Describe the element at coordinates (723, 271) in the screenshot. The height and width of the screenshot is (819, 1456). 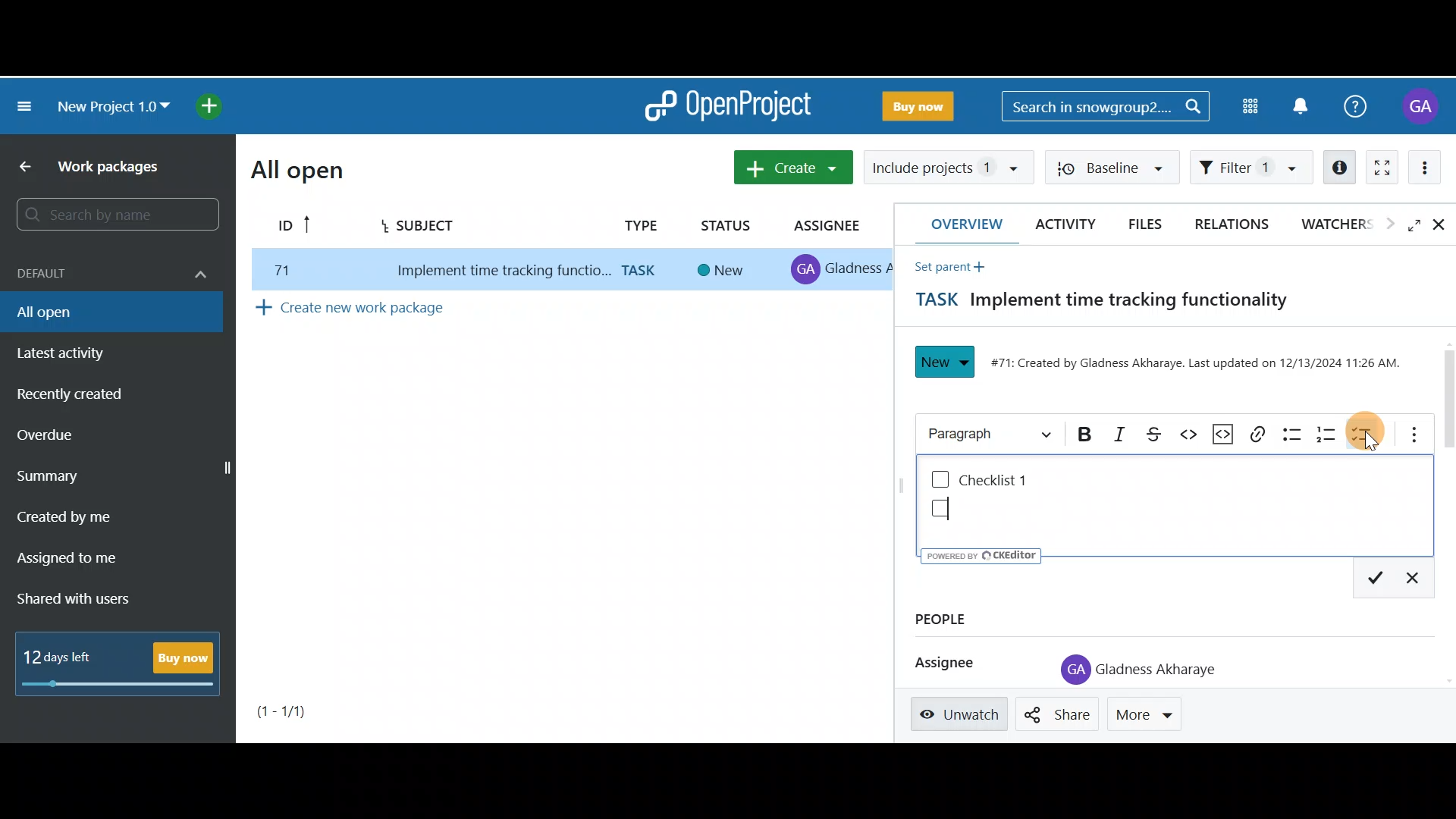
I see `new` at that location.